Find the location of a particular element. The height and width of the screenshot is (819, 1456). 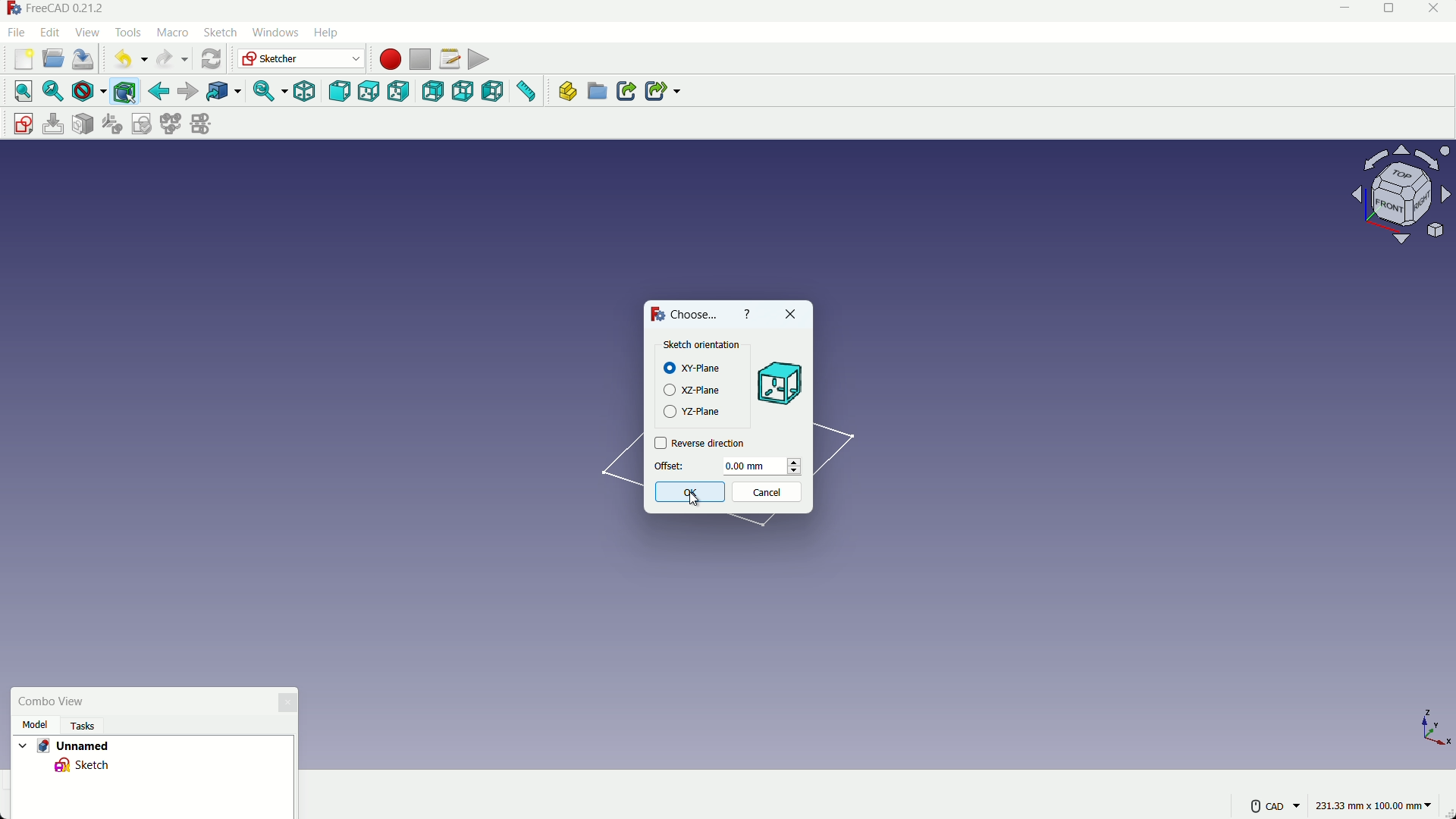

Choose... is located at coordinates (684, 315).